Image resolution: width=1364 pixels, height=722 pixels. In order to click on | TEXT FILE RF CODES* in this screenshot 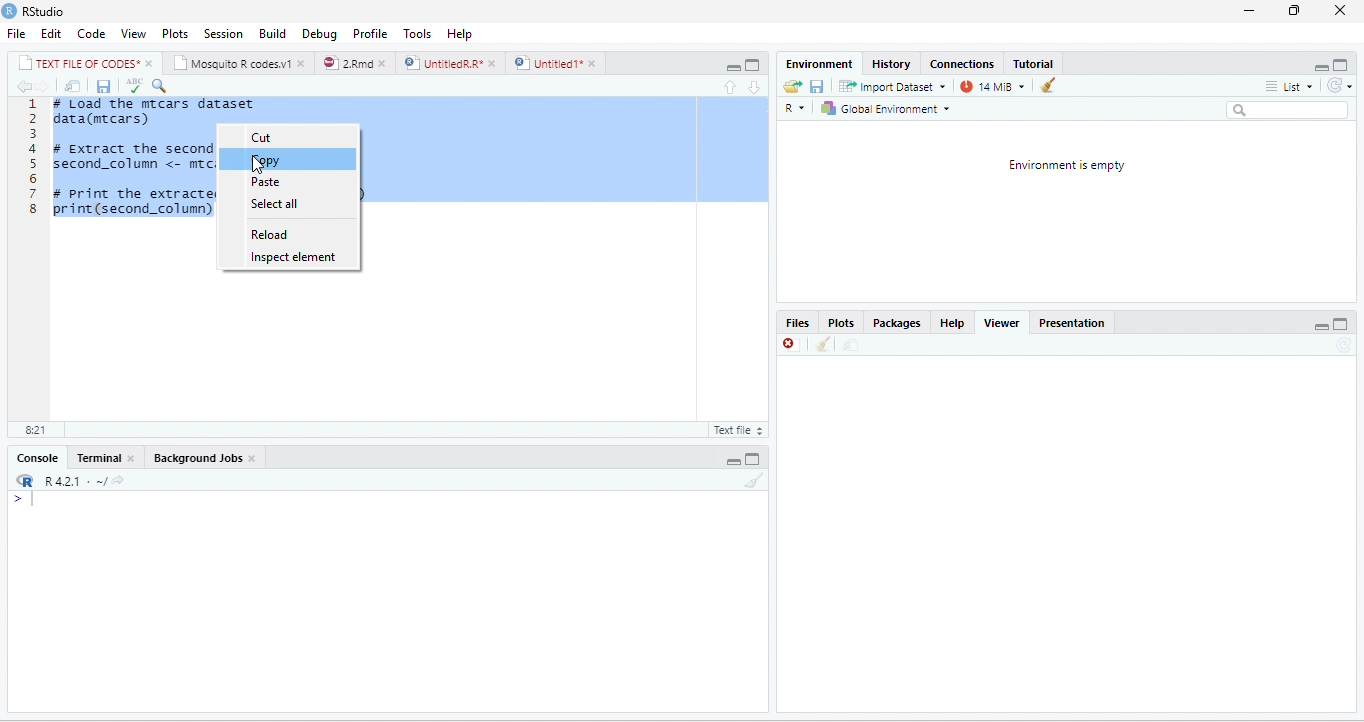, I will do `click(78, 61)`.